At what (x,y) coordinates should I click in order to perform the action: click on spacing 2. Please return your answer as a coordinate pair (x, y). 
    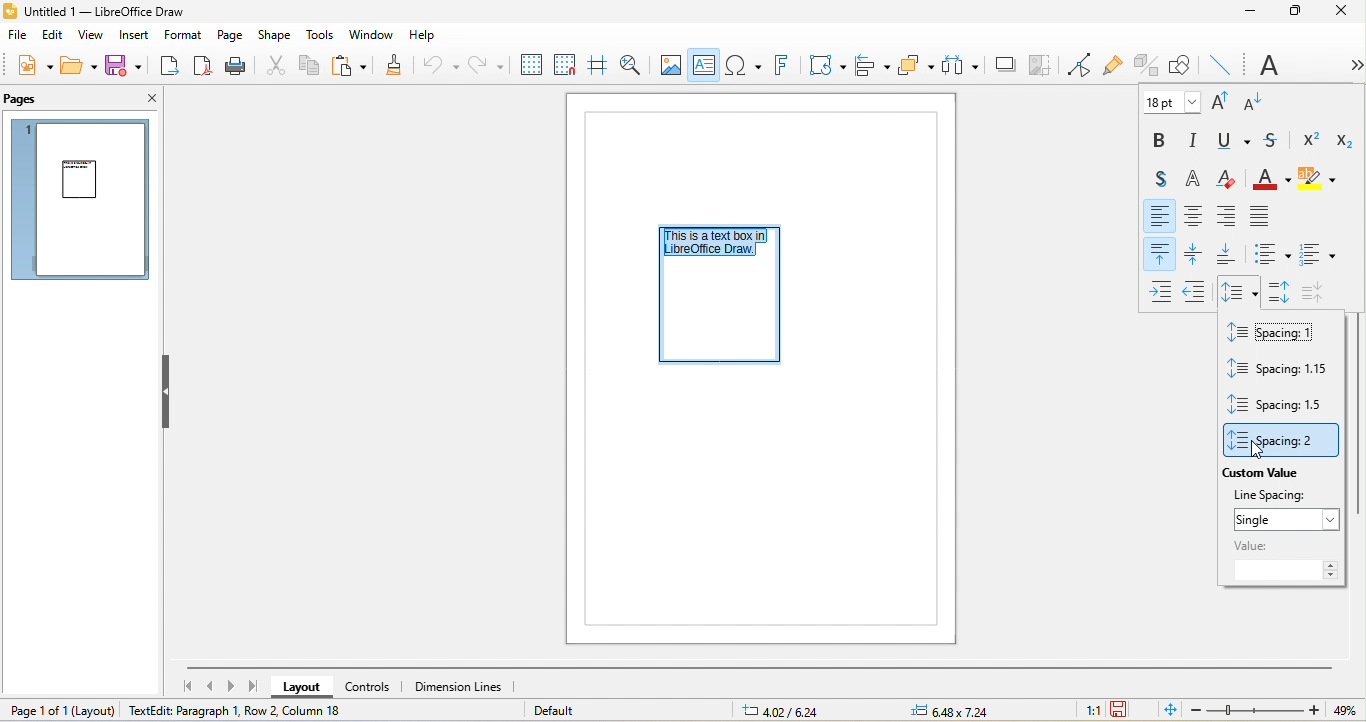
    Looking at the image, I should click on (1282, 441).